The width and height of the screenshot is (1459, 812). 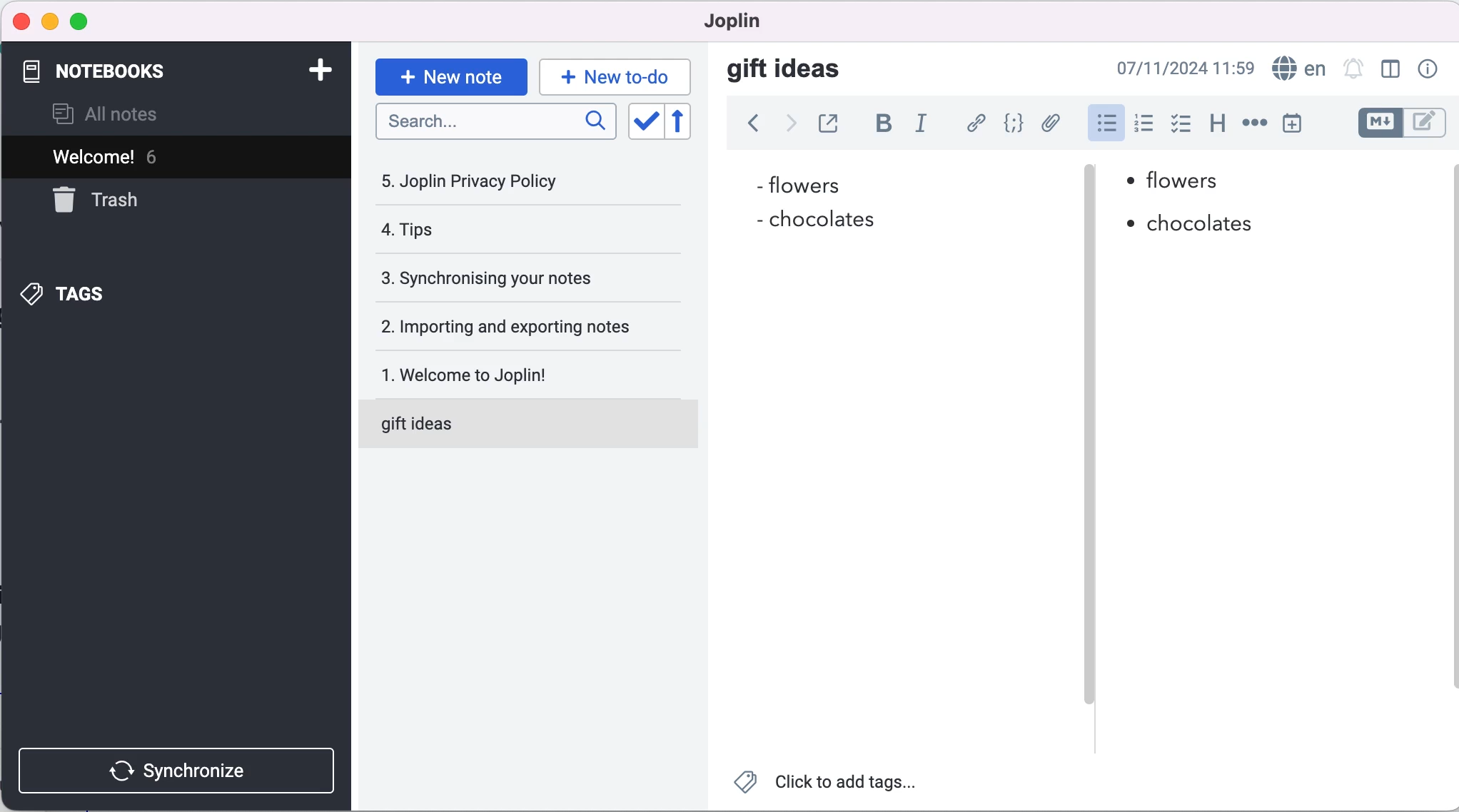 What do you see at coordinates (519, 276) in the screenshot?
I see `synchronising your notes` at bounding box center [519, 276].